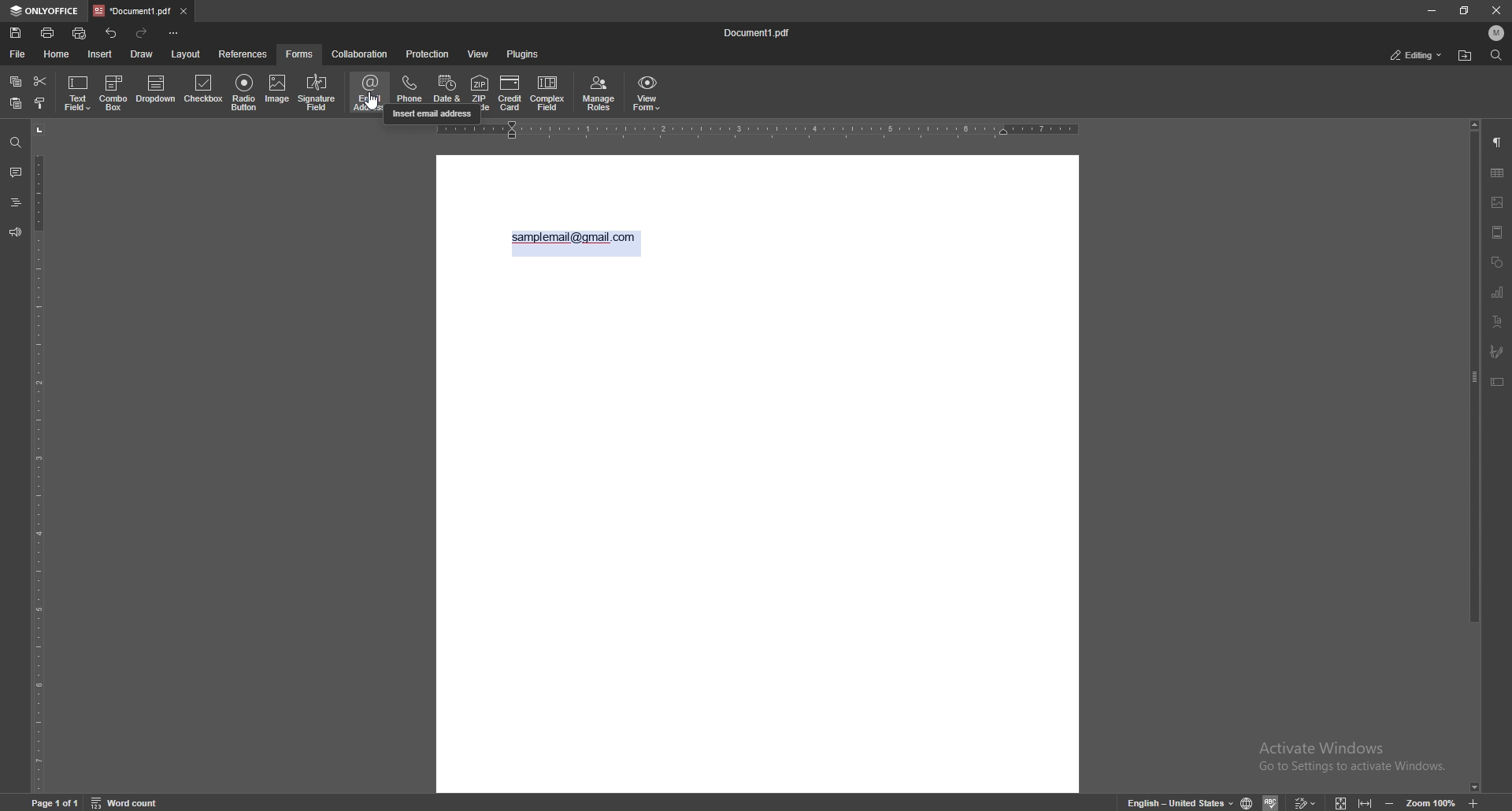  Describe the element at coordinates (371, 92) in the screenshot. I see `email address` at that location.